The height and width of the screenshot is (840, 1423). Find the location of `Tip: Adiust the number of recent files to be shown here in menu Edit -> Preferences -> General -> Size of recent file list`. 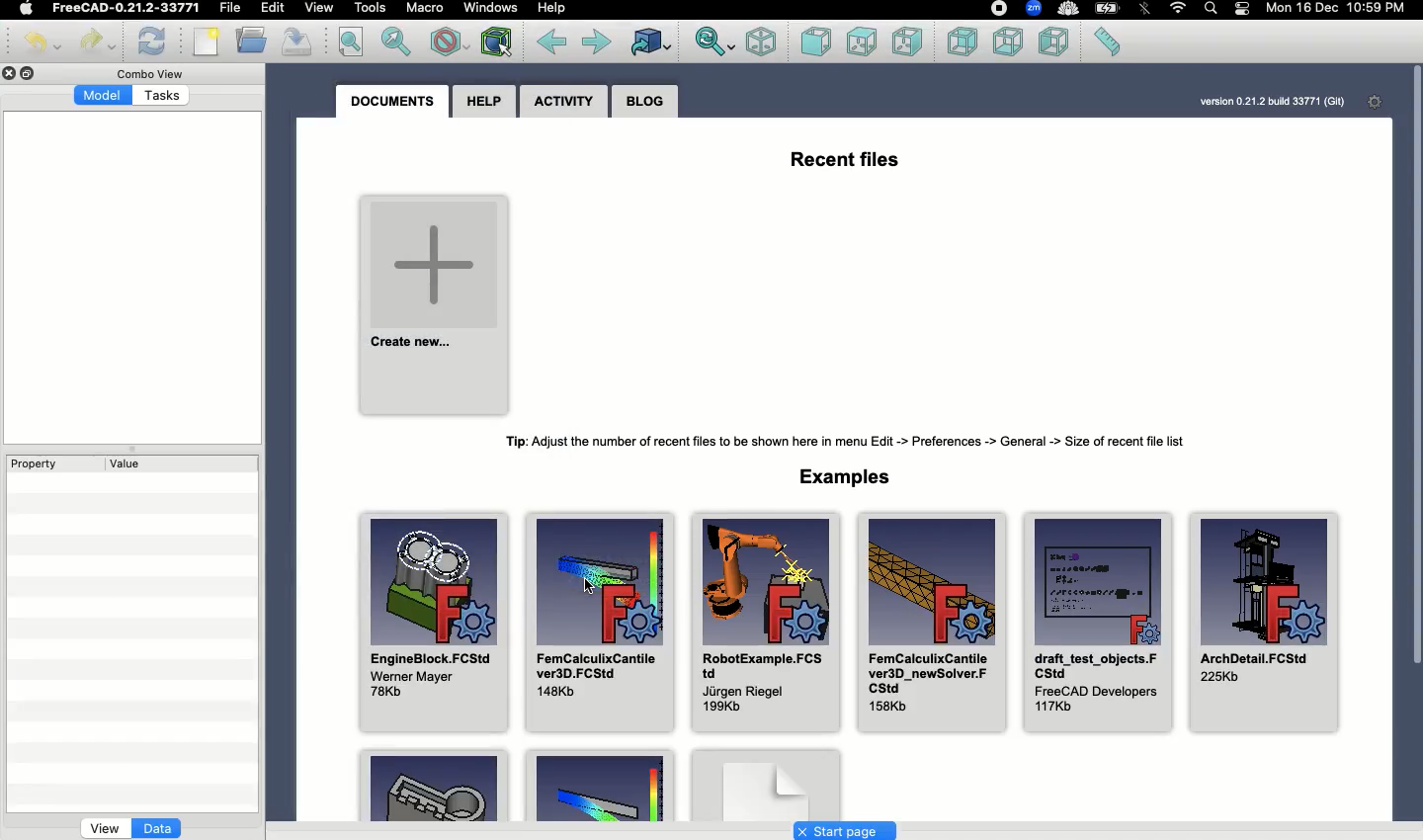

Tip: Adiust the number of recent files to be shown here in menu Edit -> Preferences -> General -> Size of recent file list is located at coordinates (847, 438).